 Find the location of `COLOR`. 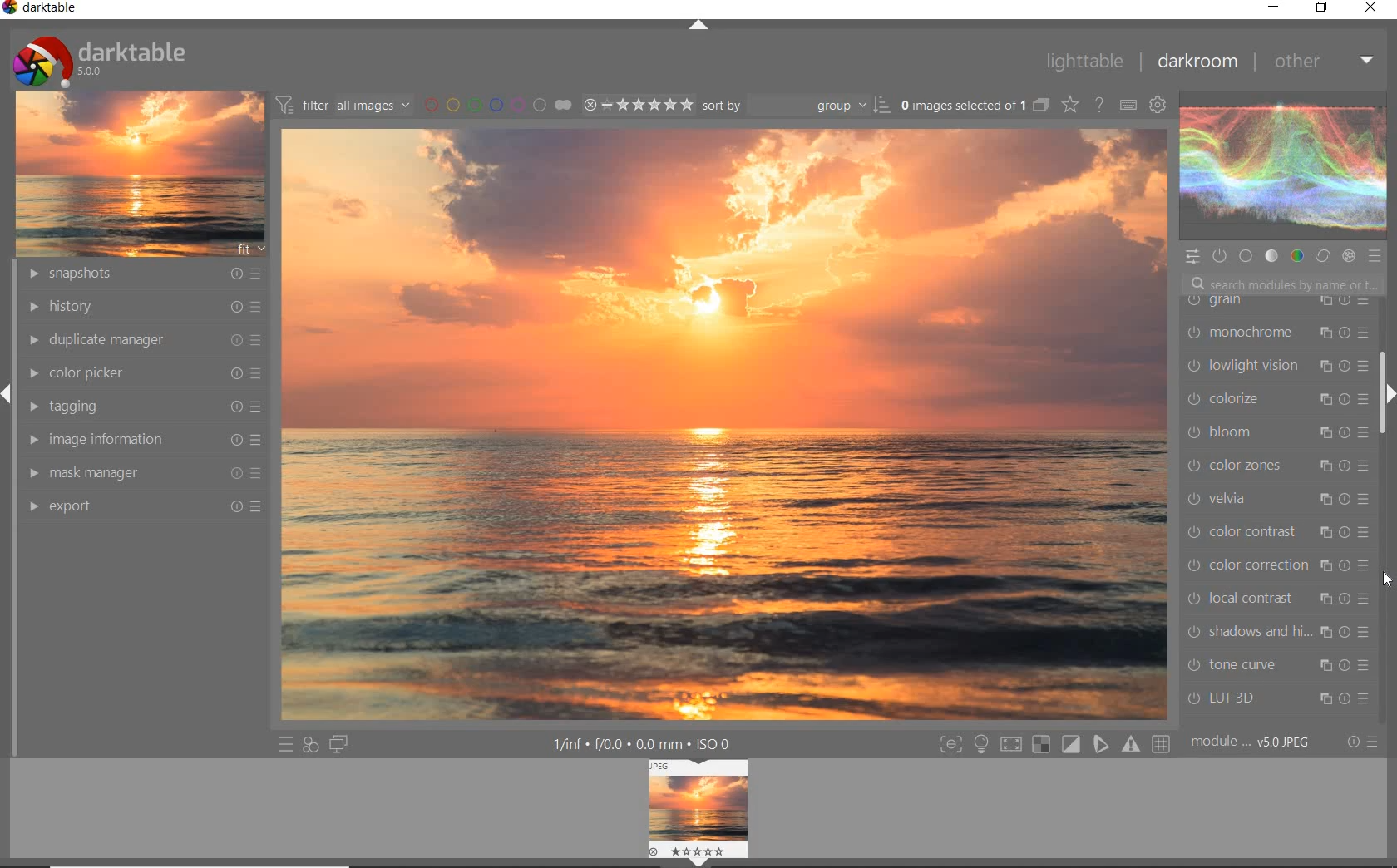

COLOR is located at coordinates (1295, 256).